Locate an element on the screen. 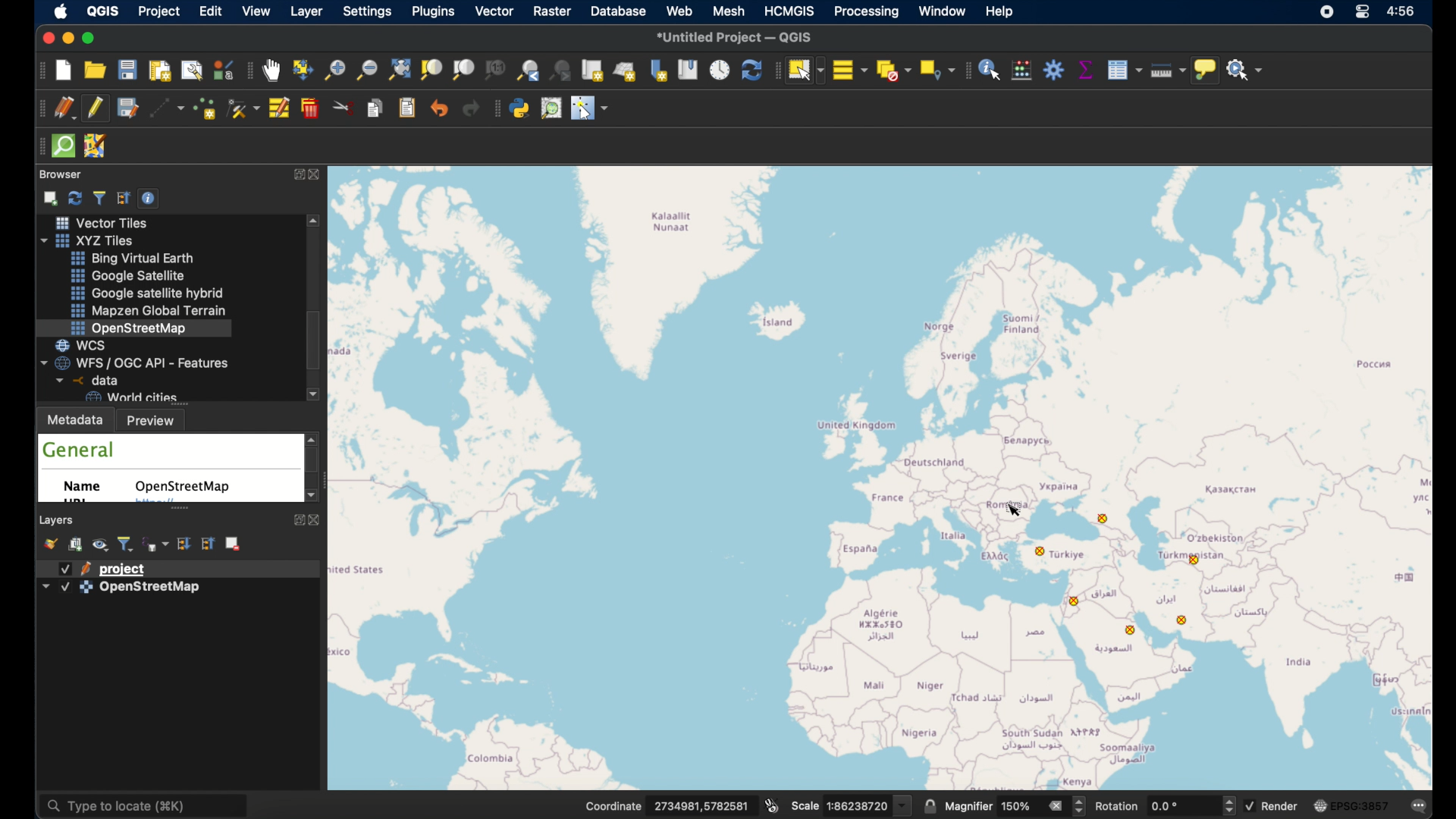  current edits is located at coordinates (64, 108).